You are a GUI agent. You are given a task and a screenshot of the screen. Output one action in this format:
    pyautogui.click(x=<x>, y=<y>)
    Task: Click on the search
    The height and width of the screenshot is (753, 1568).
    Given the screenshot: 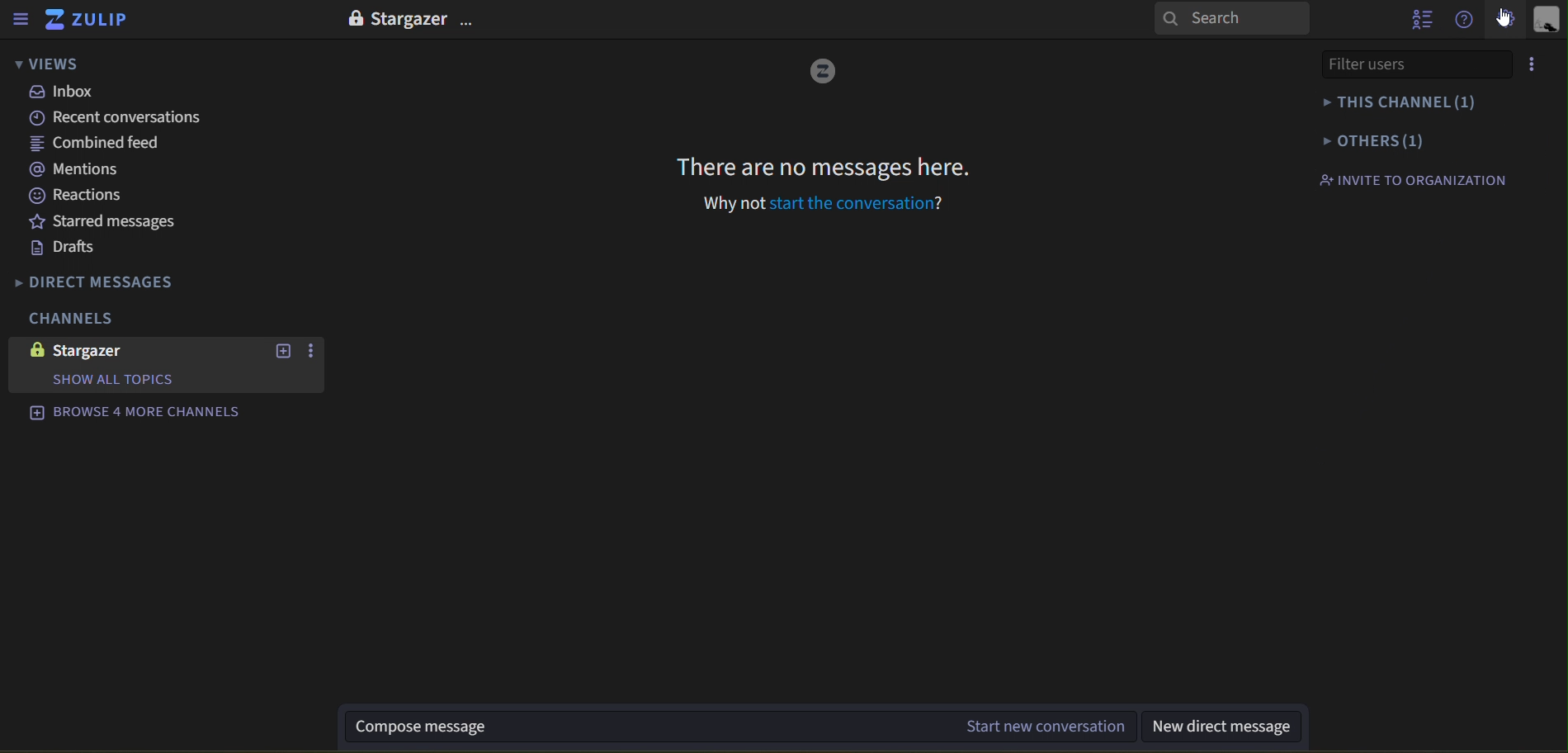 What is the action you would take?
    pyautogui.click(x=1232, y=17)
    